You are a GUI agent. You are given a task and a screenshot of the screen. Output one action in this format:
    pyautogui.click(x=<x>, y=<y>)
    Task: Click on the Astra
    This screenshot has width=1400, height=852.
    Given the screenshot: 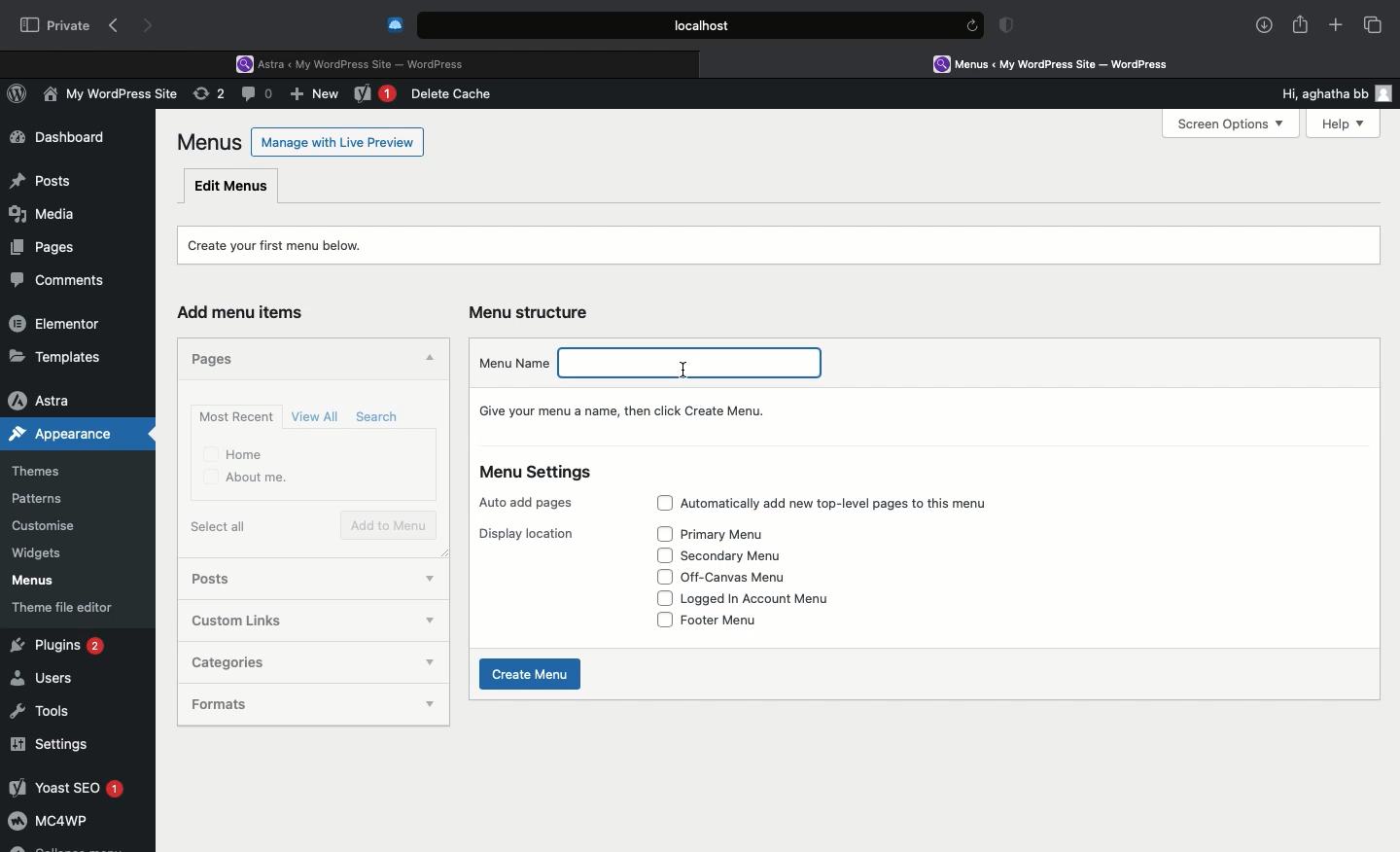 What is the action you would take?
    pyautogui.click(x=57, y=400)
    